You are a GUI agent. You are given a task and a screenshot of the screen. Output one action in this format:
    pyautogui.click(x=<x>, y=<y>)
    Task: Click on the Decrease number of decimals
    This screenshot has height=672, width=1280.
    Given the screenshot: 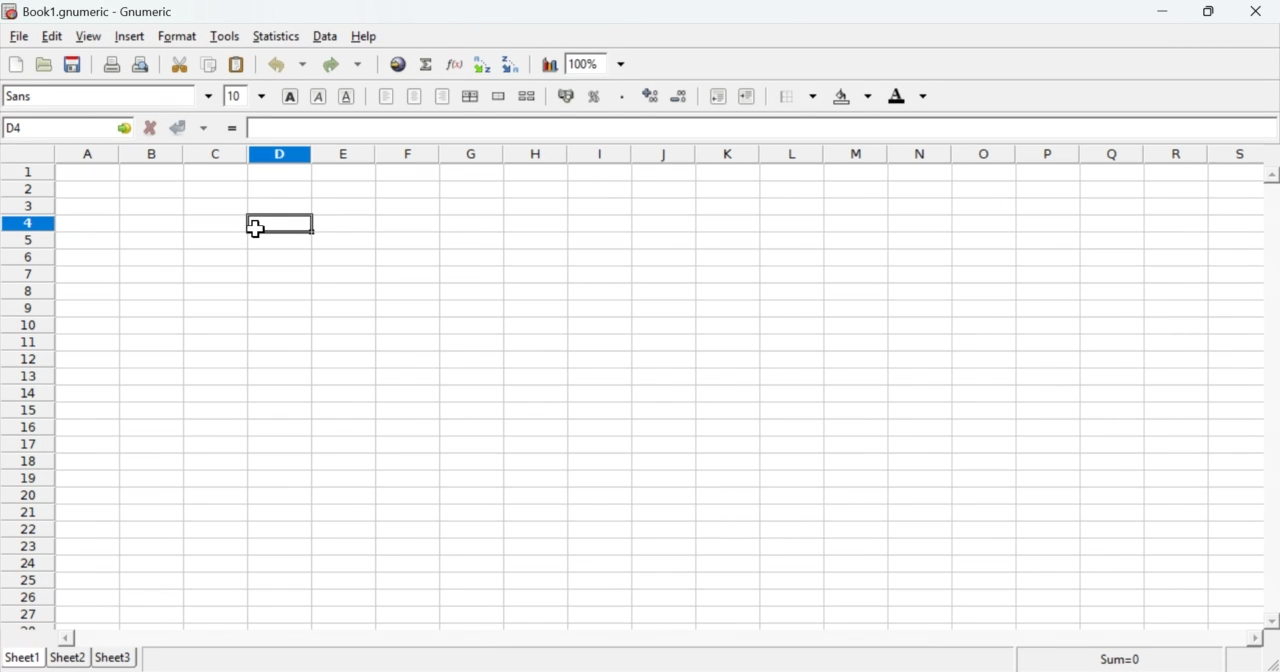 What is the action you would take?
    pyautogui.click(x=682, y=96)
    